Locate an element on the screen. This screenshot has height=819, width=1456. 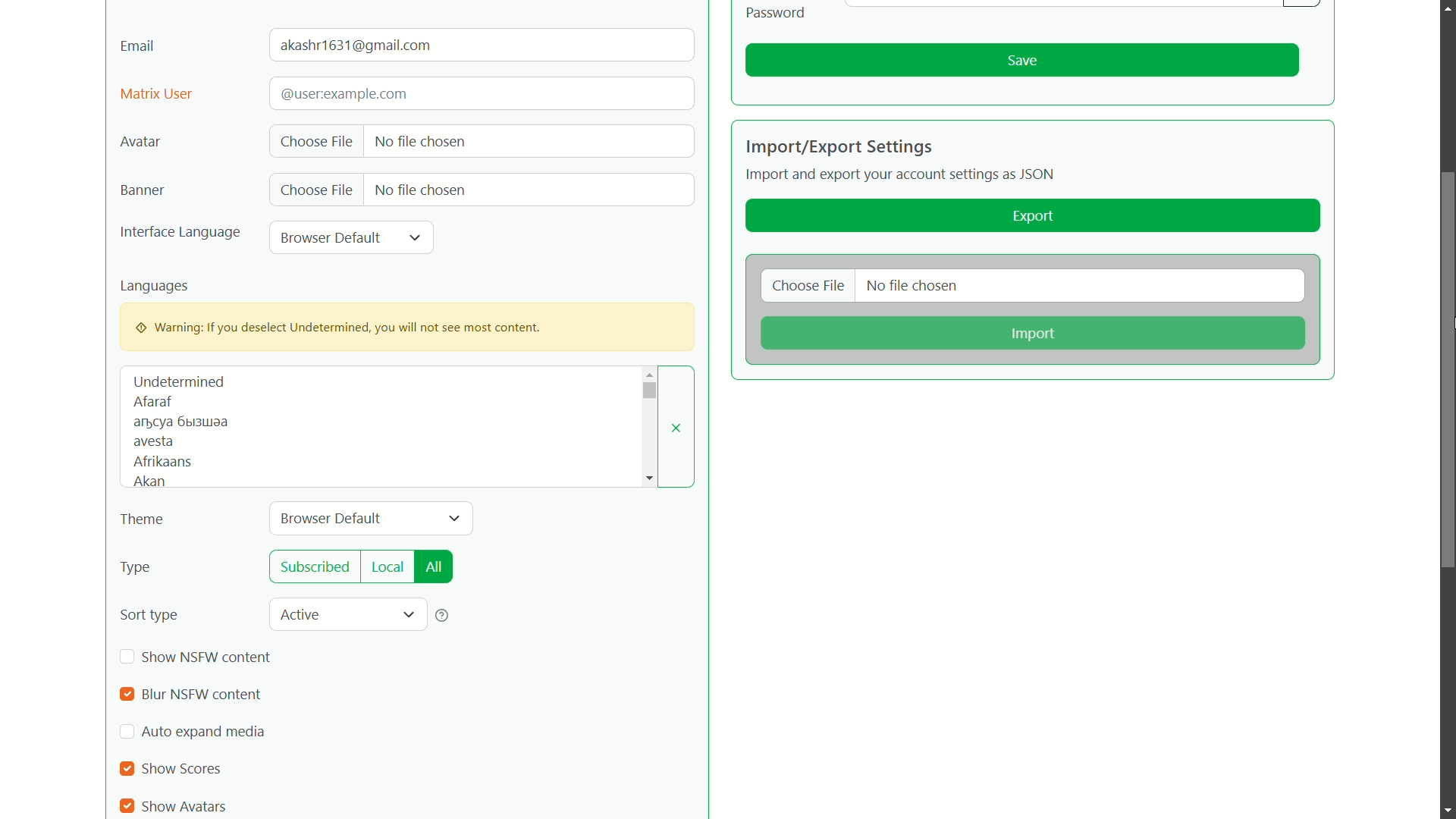
auto expand media is located at coordinates (204, 732).